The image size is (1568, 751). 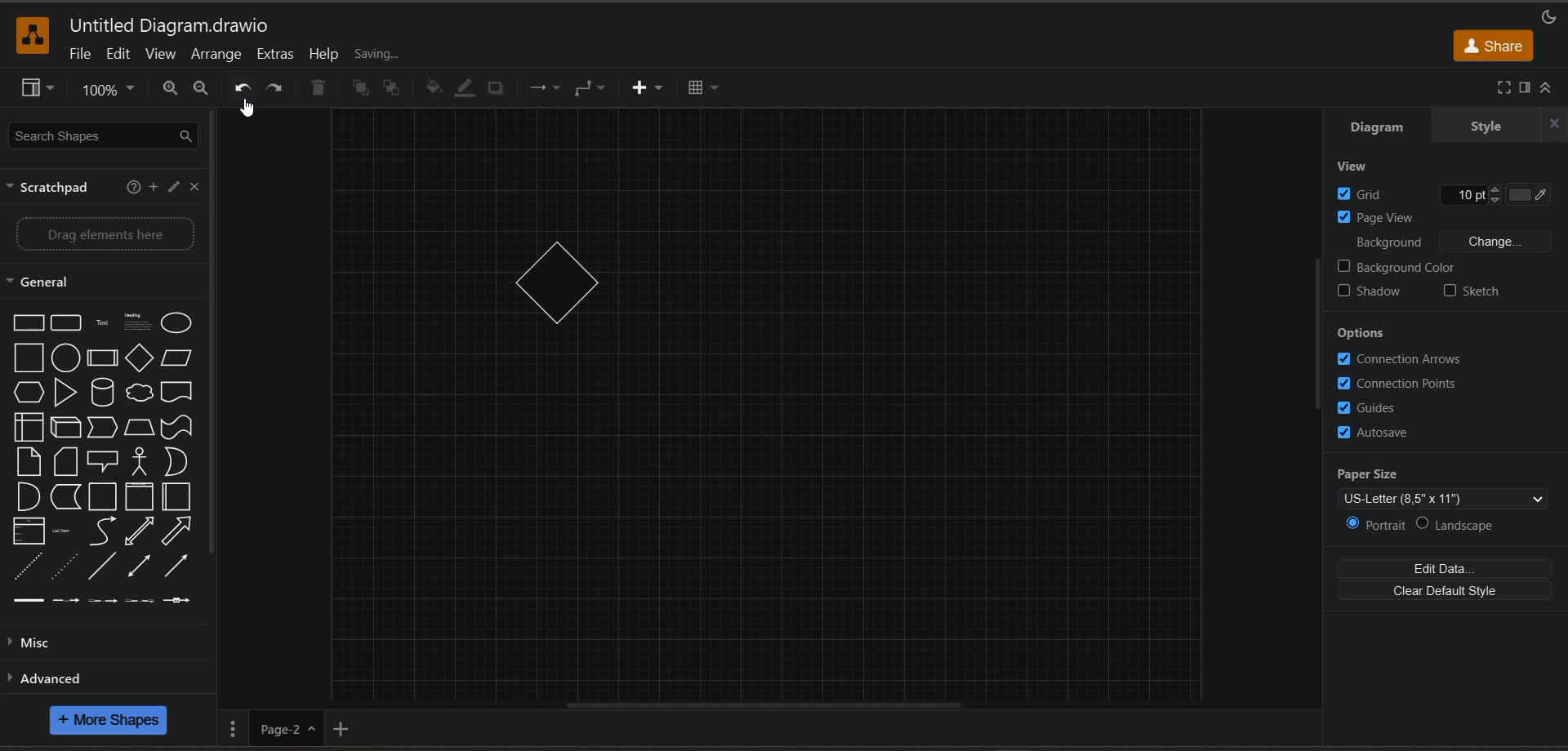 I want to click on portrait, so click(x=1374, y=524).